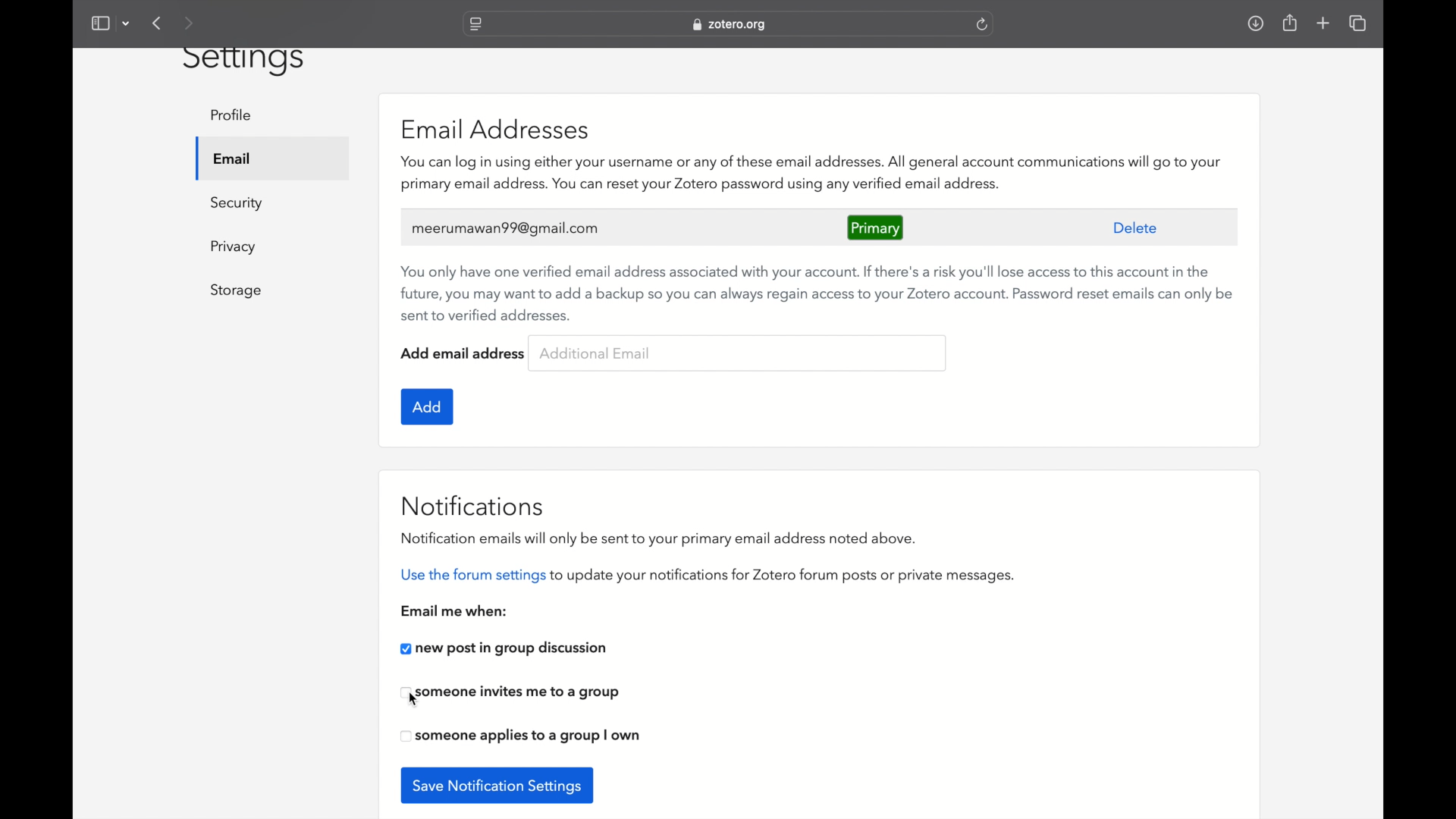 This screenshot has width=1456, height=819. Describe the element at coordinates (459, 353) in the screenshot. I see `add email address` at that location.